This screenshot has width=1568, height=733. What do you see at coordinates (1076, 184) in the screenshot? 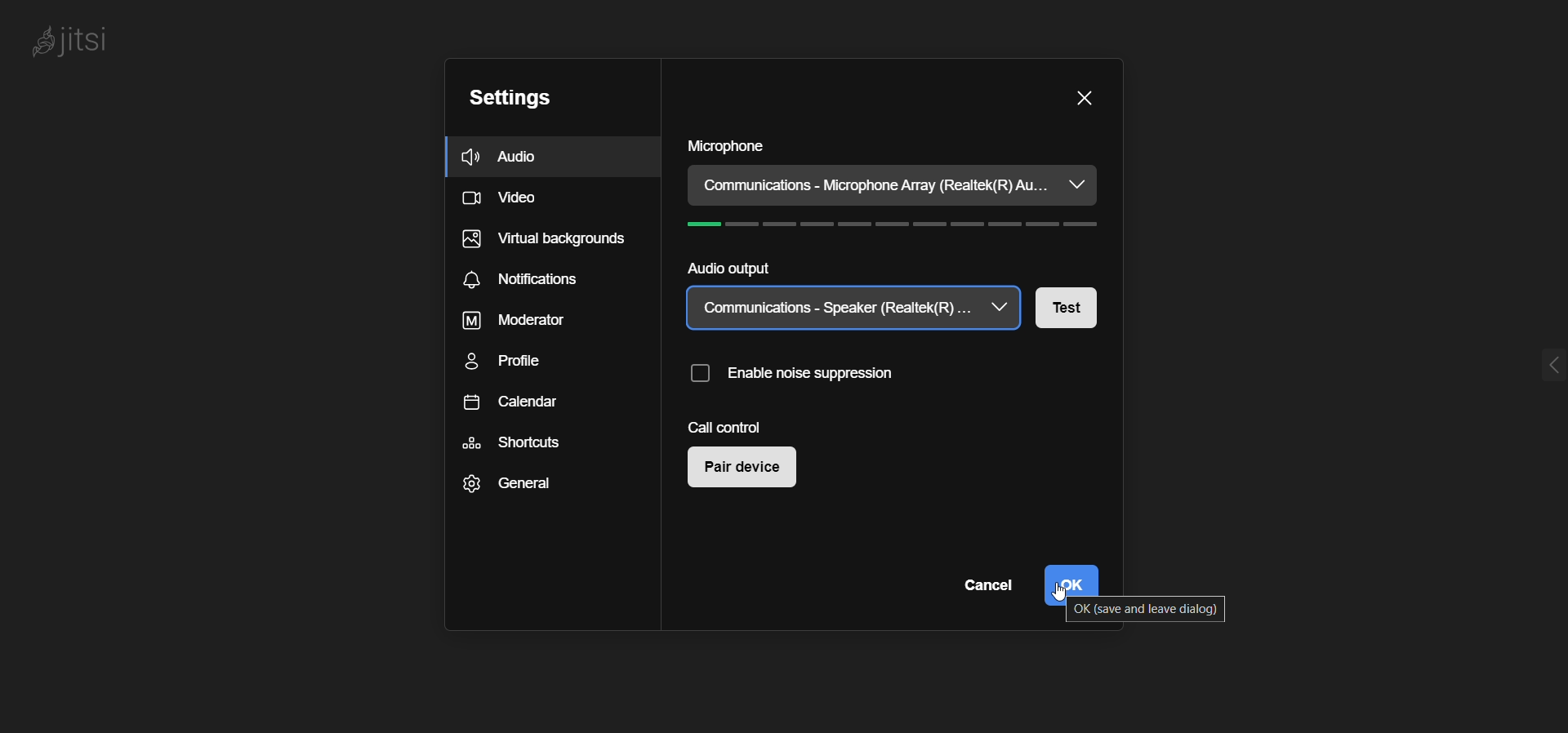
I see `microphone dropdown` at bounding box center [1076, 184].